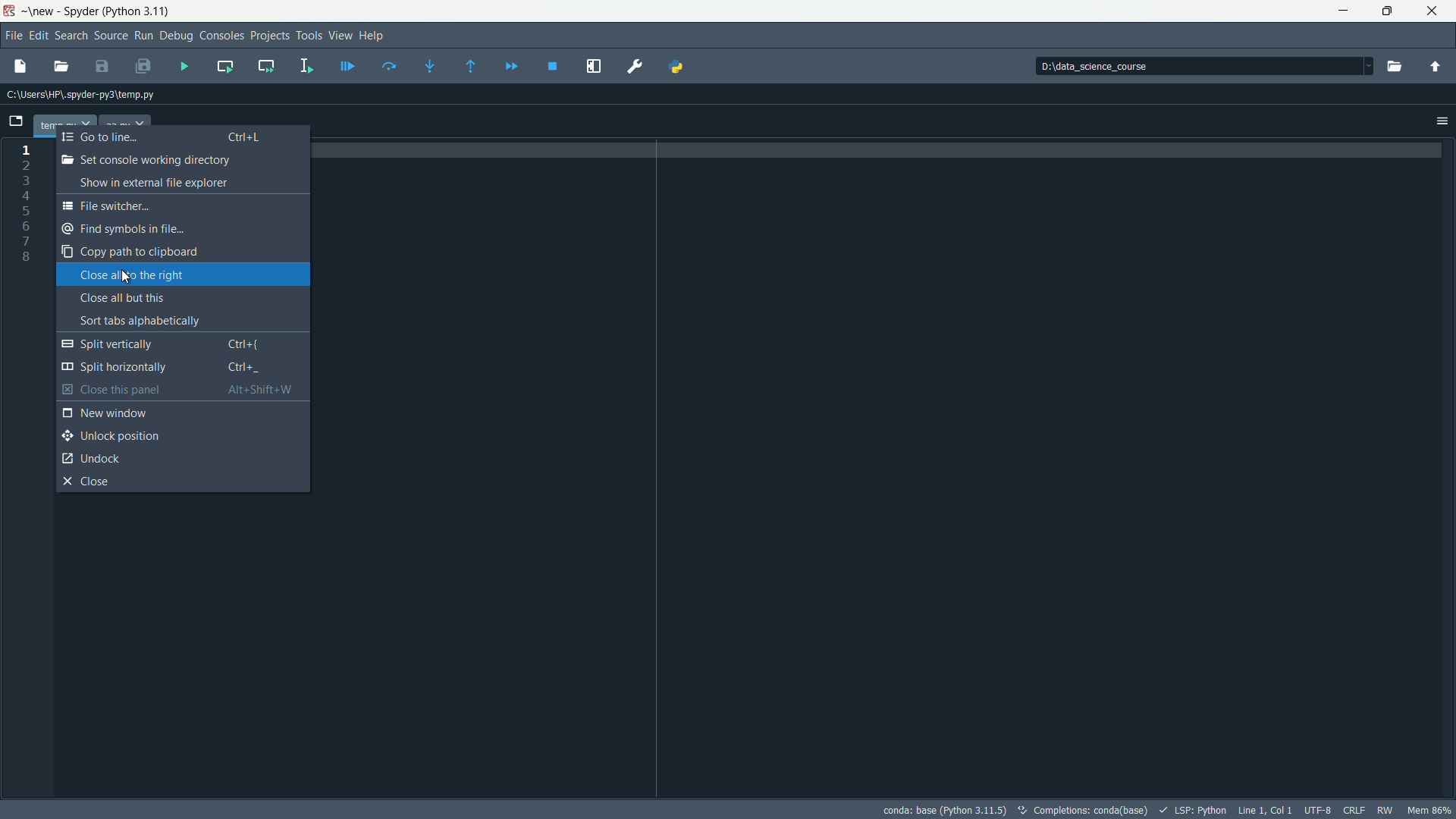  Describe the element at coordinates (18, 67) in the screenshot. I see `new file` at that location.